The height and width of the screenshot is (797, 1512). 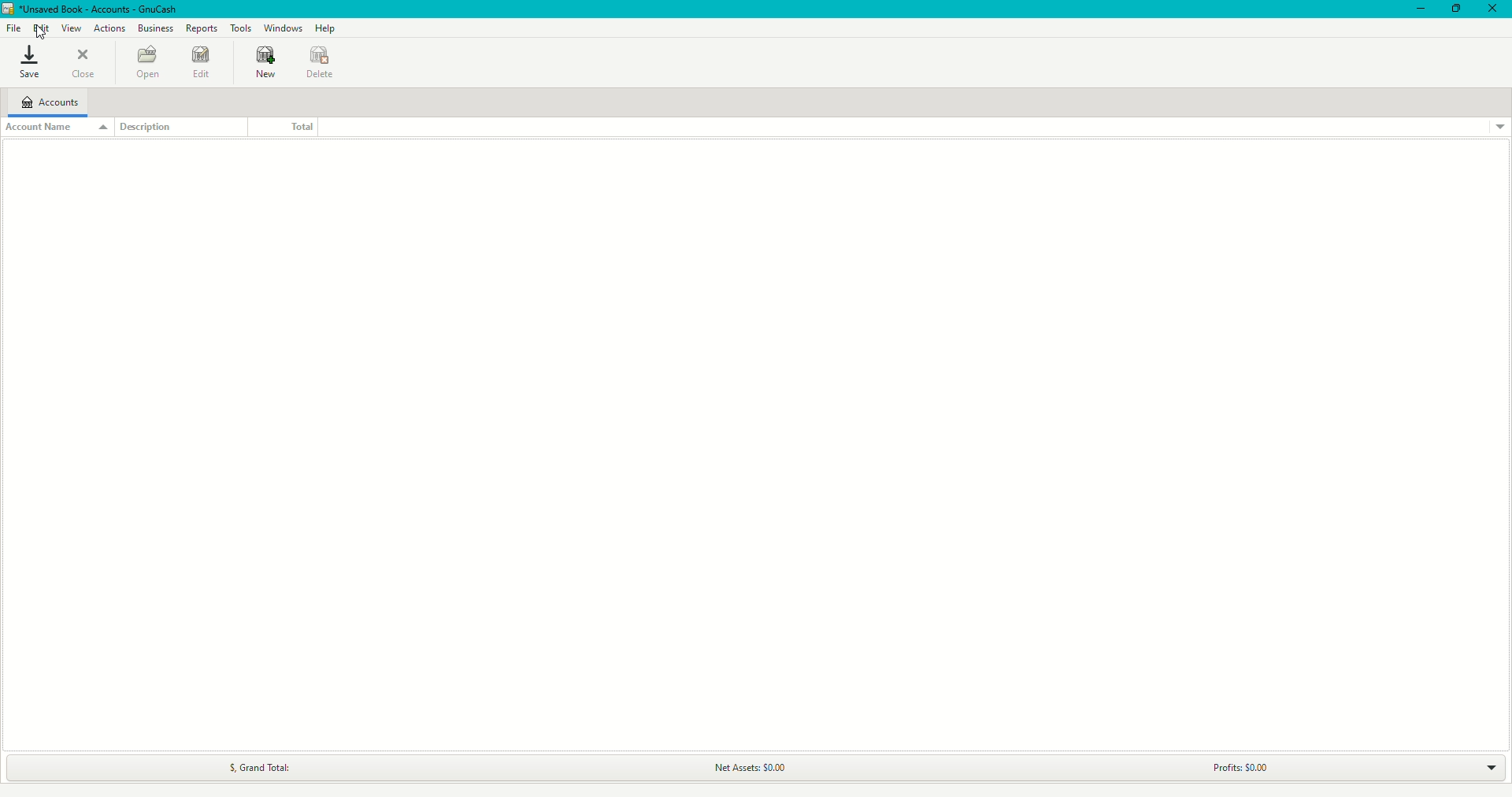 I want to click on Drop Down, so click(x=1480, y=766).